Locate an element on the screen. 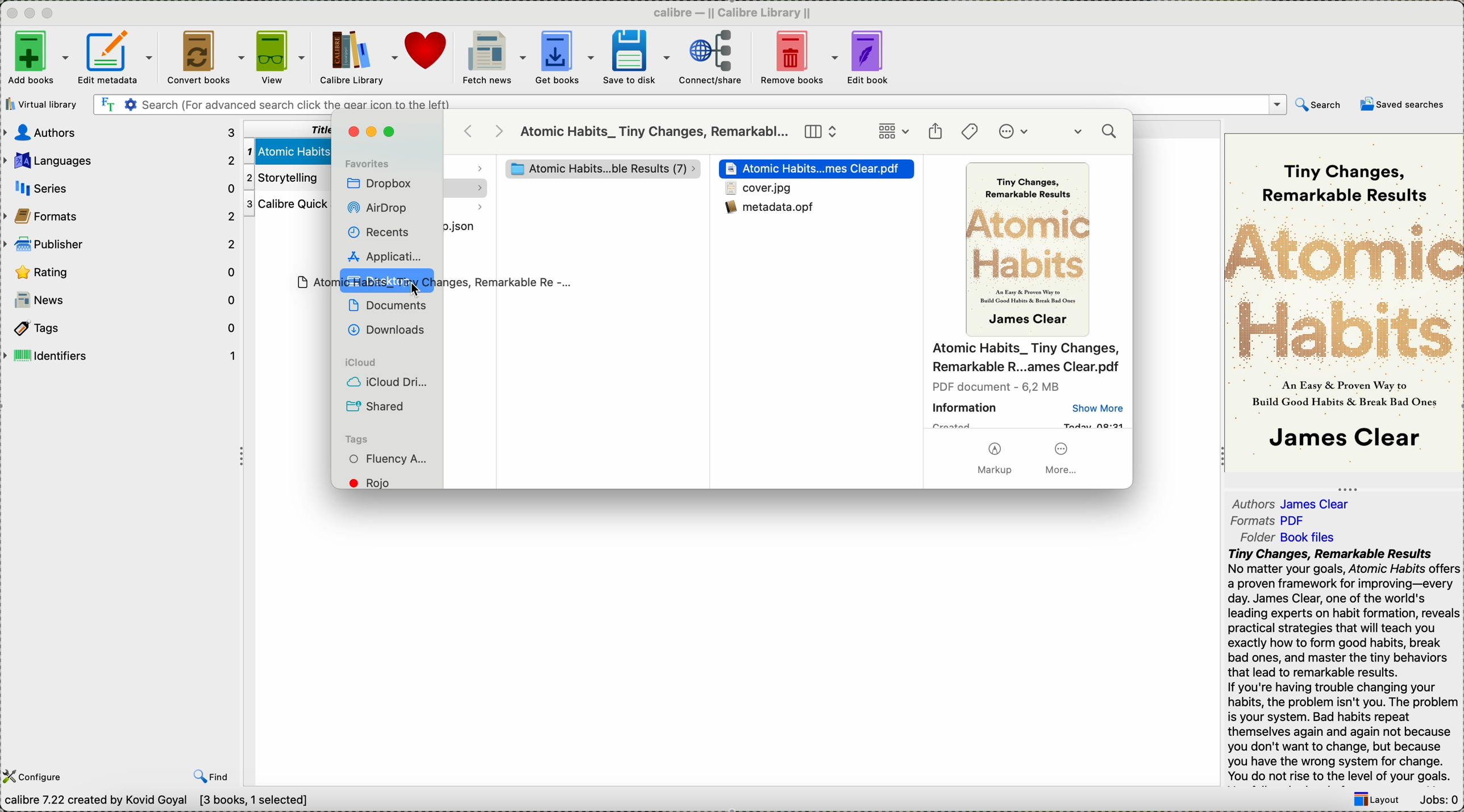 This screenshot has width=1464, height=812. Documents is located at coordinates (388, 305).